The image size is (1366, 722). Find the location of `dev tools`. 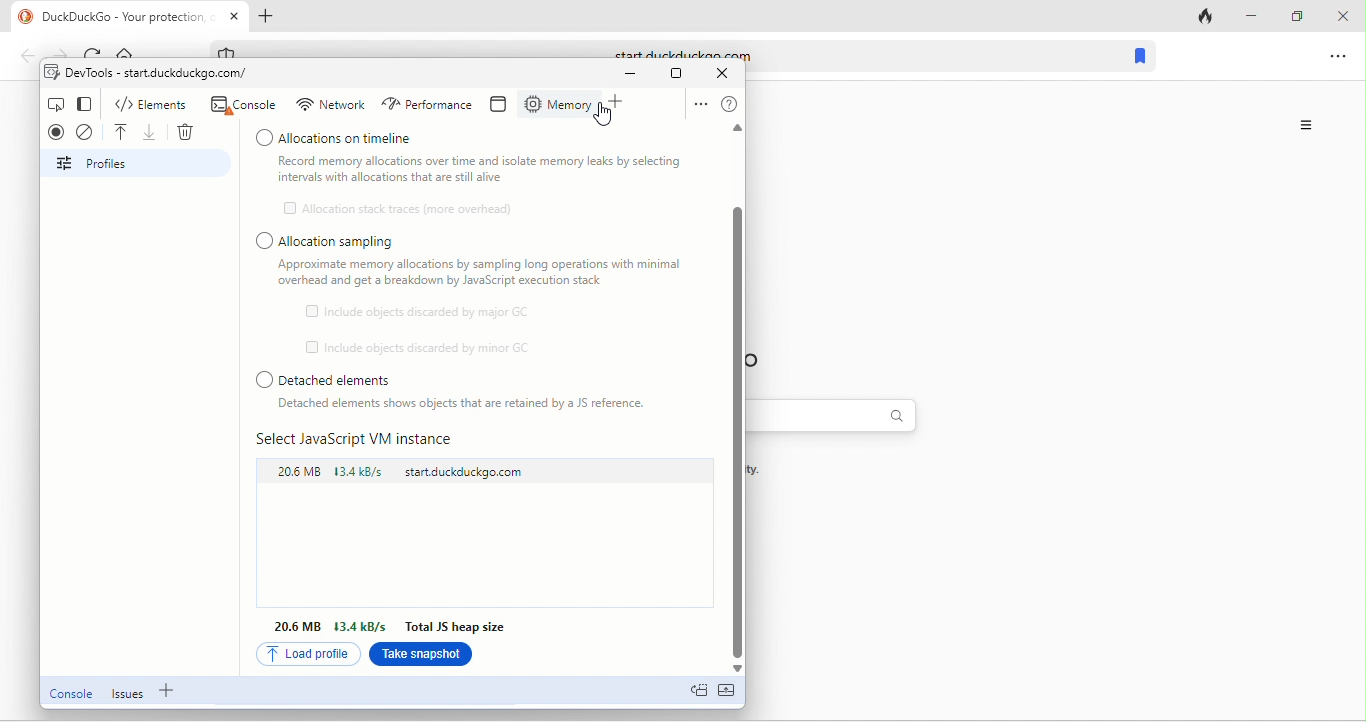

dev tools is located at coordinates (157, 74).